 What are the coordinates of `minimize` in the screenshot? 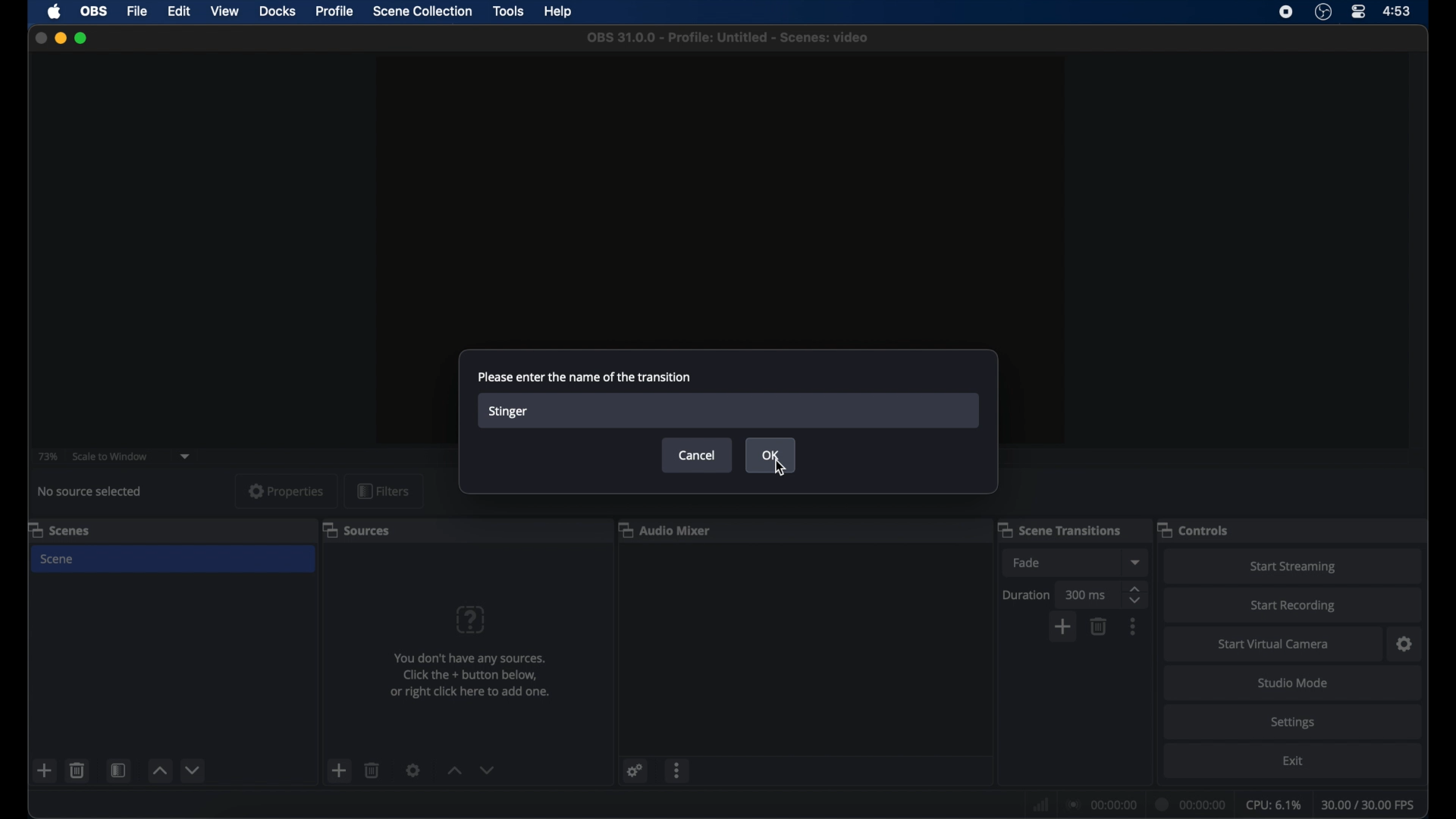 It's located at (60, 38).